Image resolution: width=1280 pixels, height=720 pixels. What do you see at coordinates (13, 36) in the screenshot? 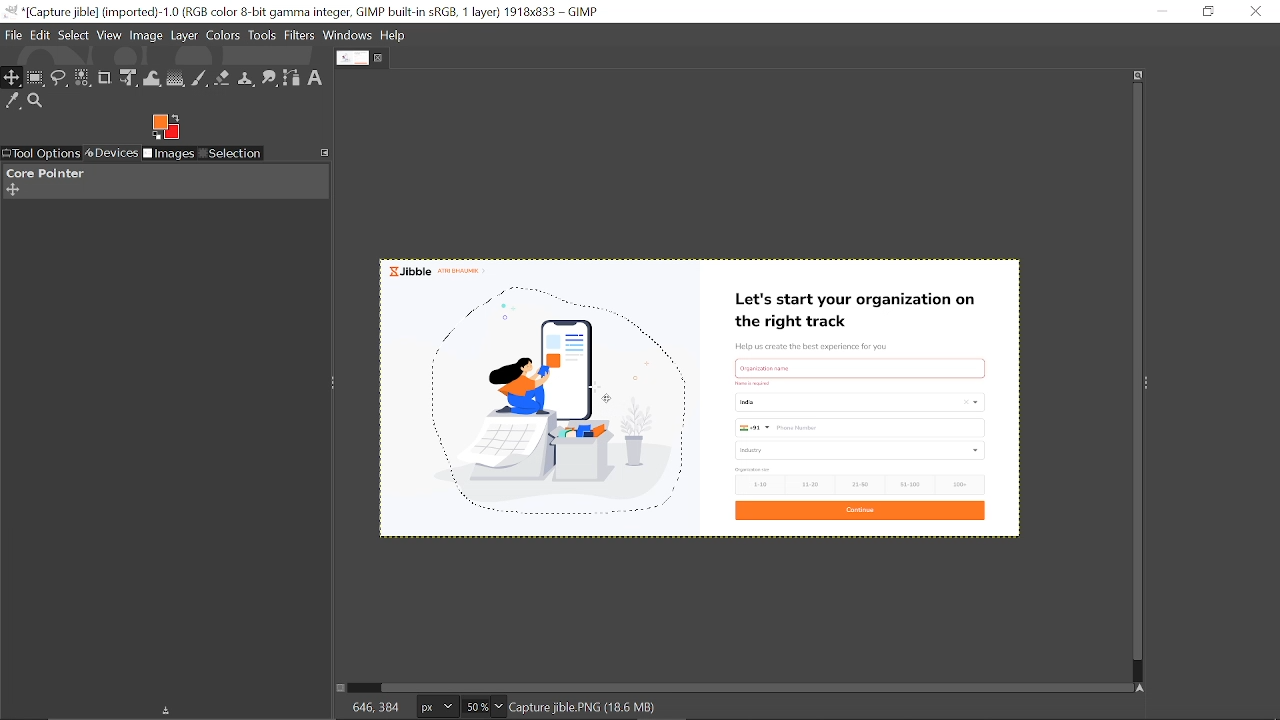
I see `File` at bounding box center [13, 36].